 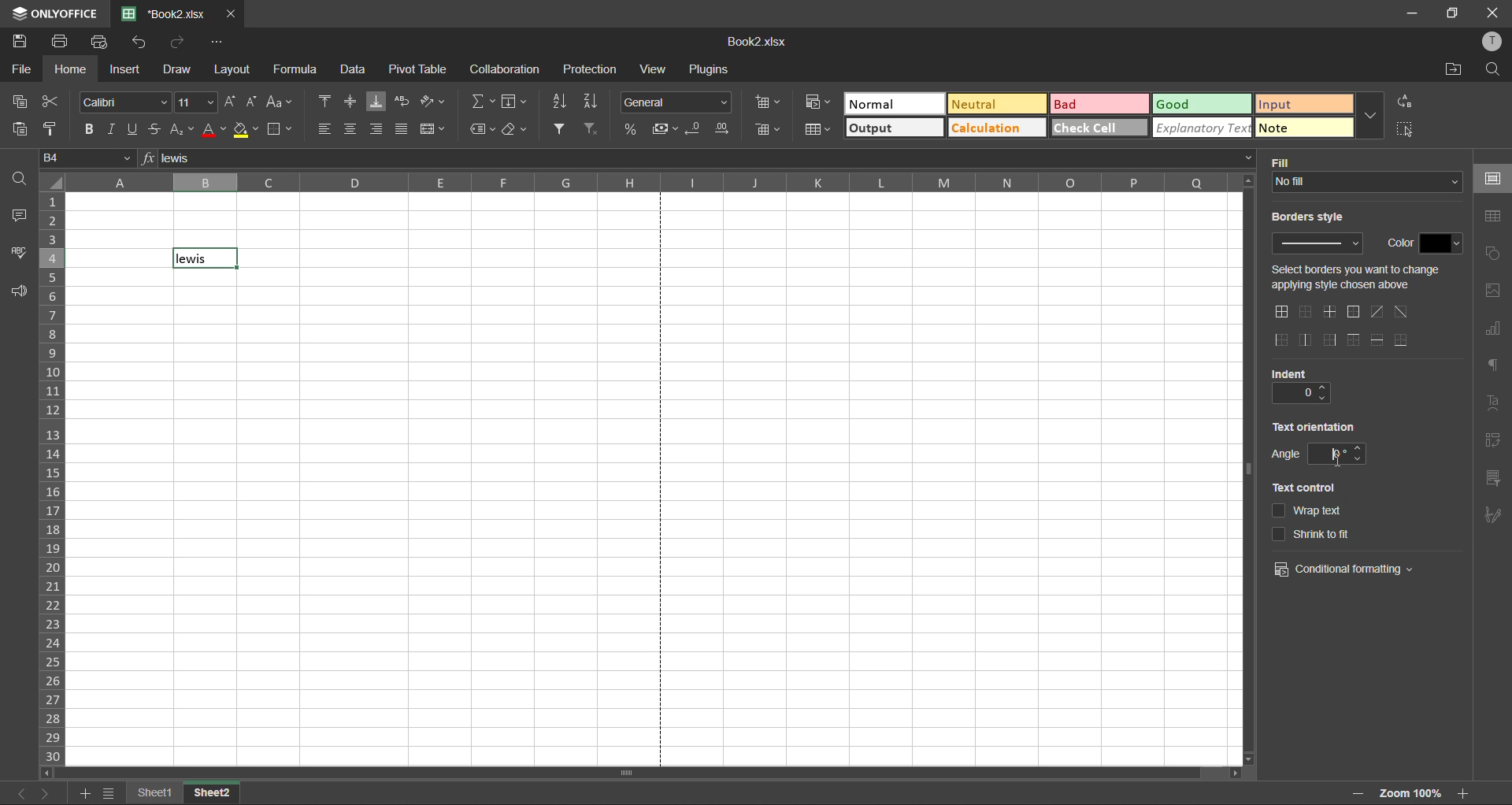 What do you see at coordinates (150, 793) in the screenshot?
I see `sheet names` at bounding box center [150, 793].